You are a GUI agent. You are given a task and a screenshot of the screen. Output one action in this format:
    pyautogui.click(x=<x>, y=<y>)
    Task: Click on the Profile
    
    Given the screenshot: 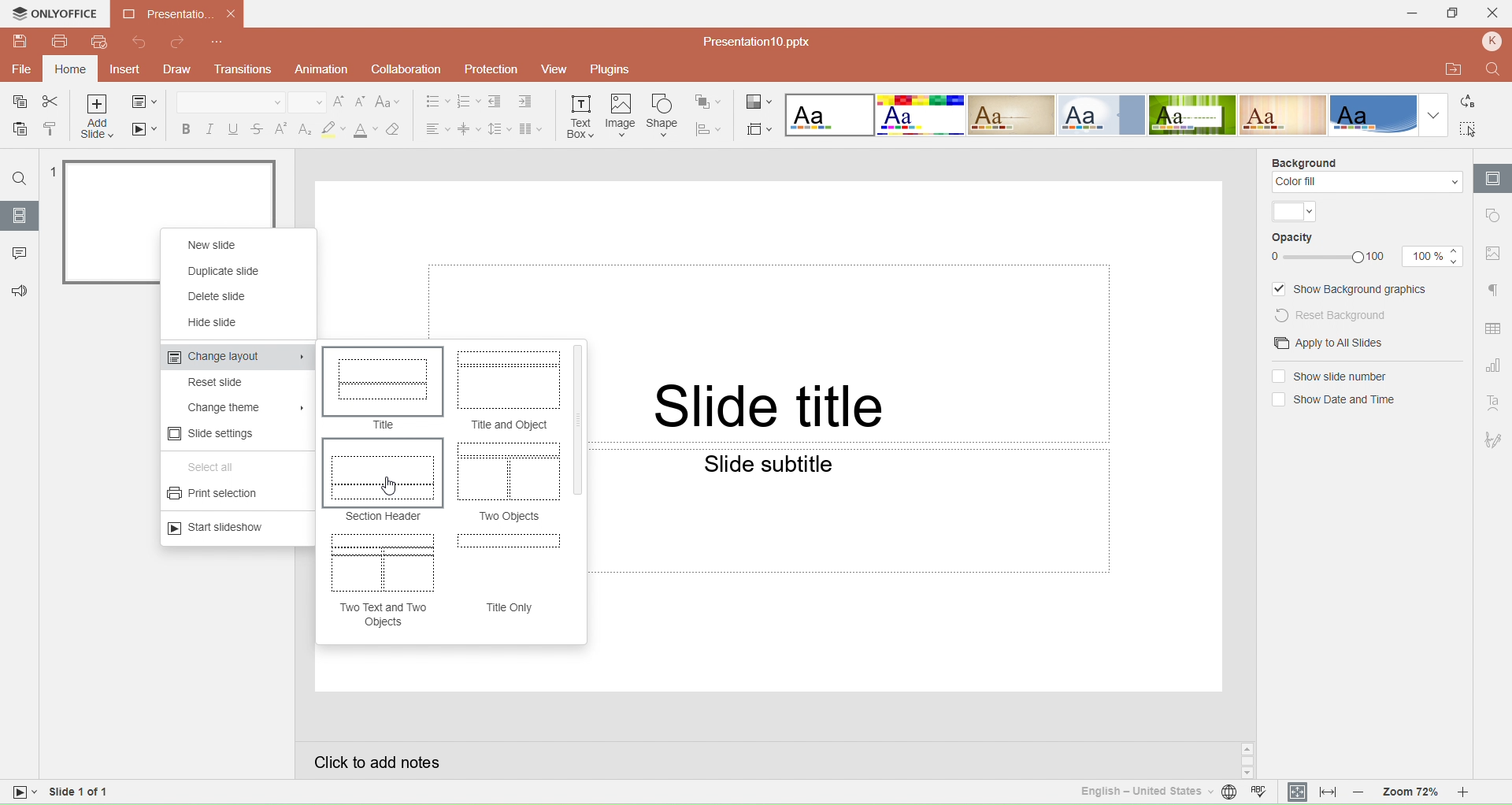 What is the action you would take?
    pyautogui.click(x=1492, y=43)
    